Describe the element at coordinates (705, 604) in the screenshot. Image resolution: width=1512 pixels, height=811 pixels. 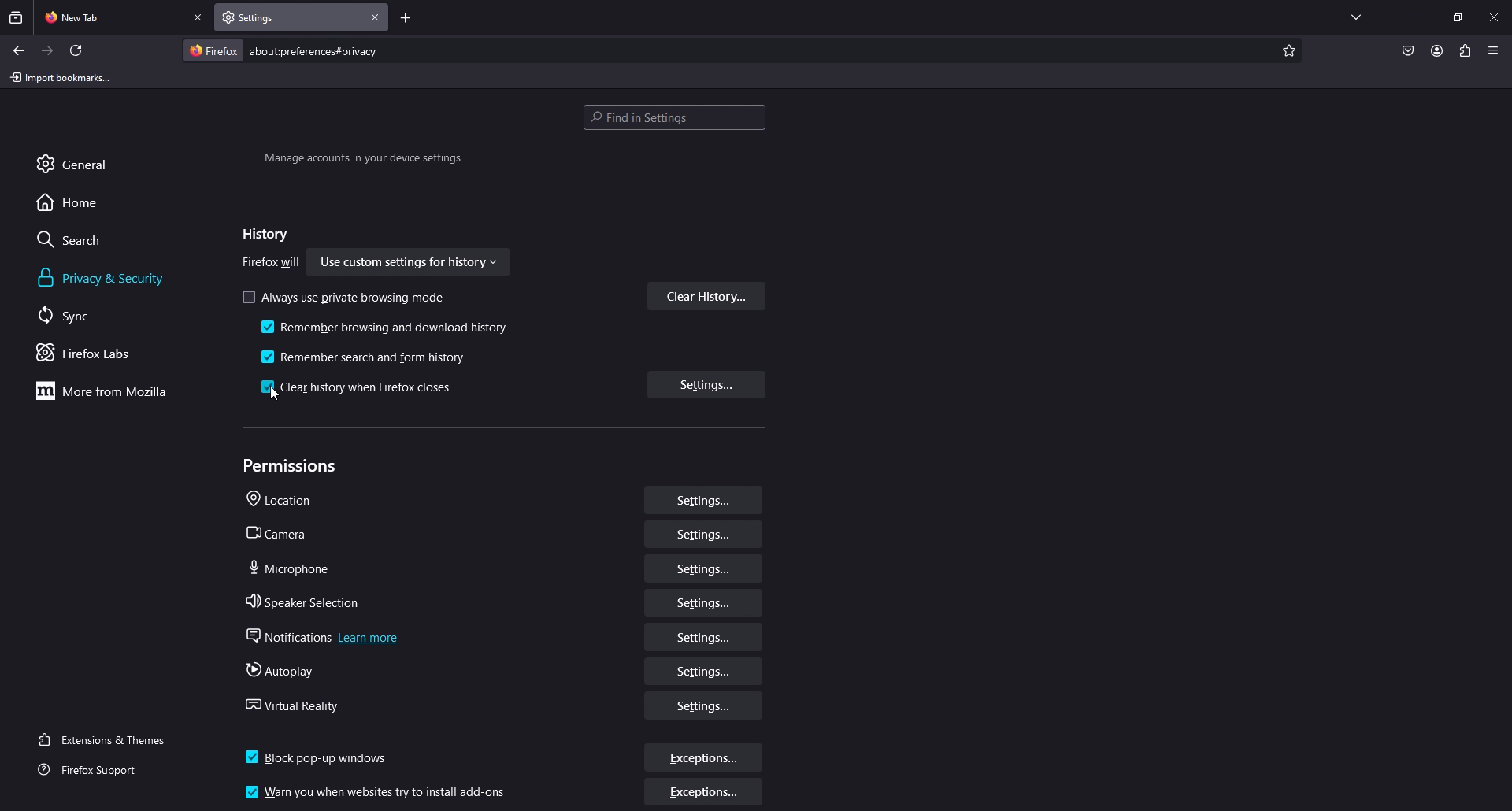
I see `settings` at that location.